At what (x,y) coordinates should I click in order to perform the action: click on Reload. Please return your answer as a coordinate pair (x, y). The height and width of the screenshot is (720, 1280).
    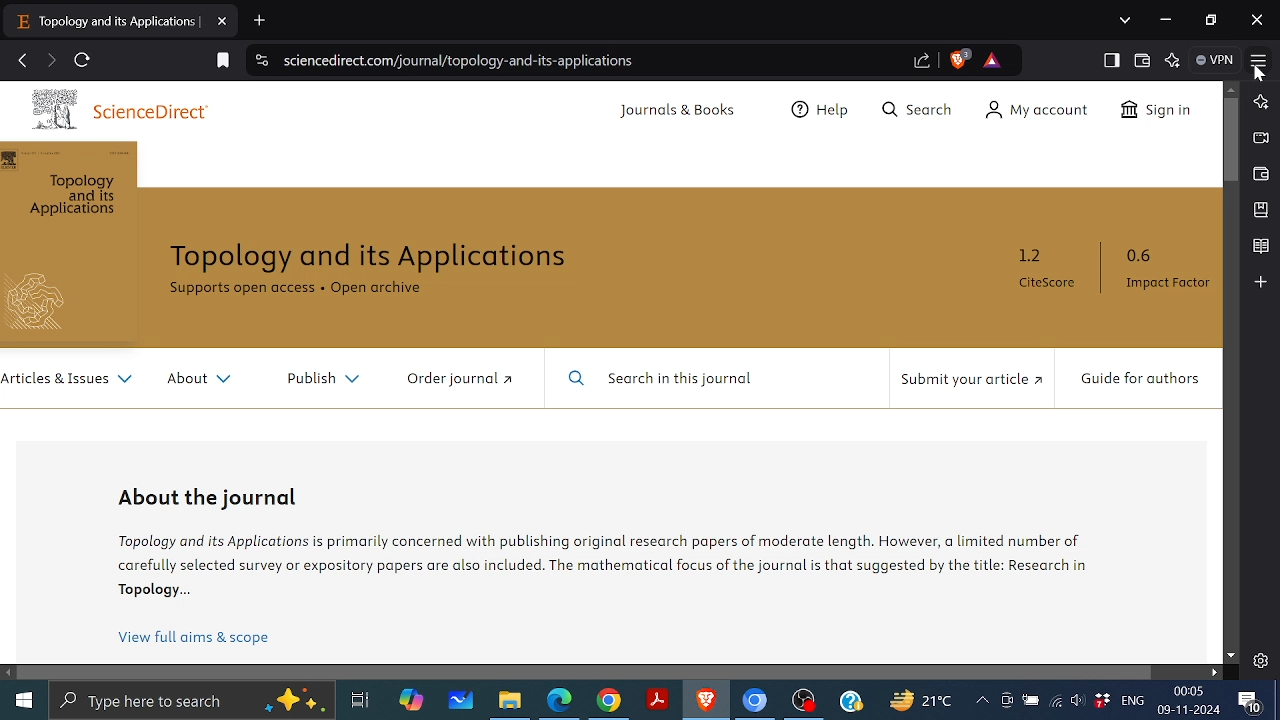
    Looking at the image, I should click on (86, 59).